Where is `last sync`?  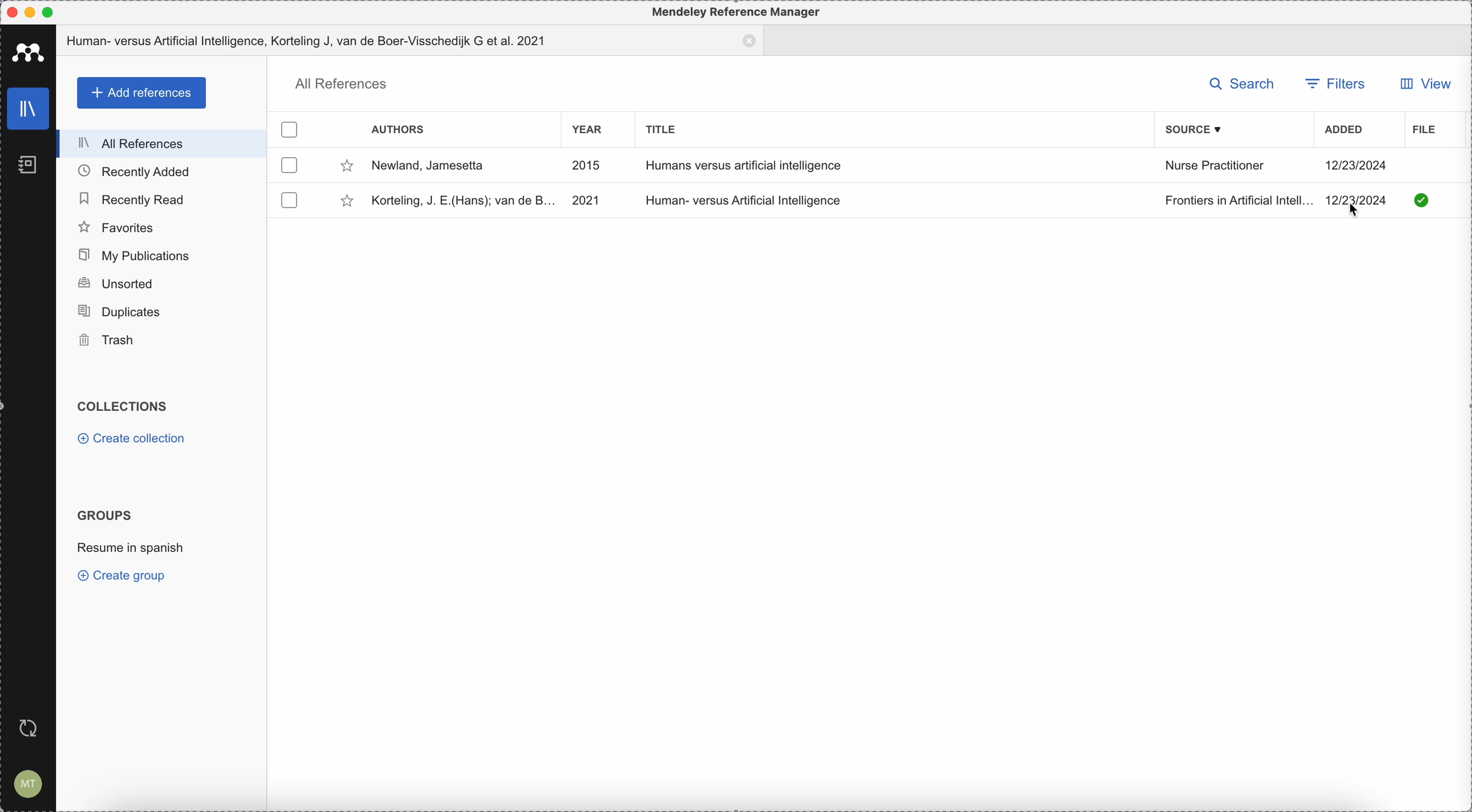 last sync is located at coordinates (33, 726).